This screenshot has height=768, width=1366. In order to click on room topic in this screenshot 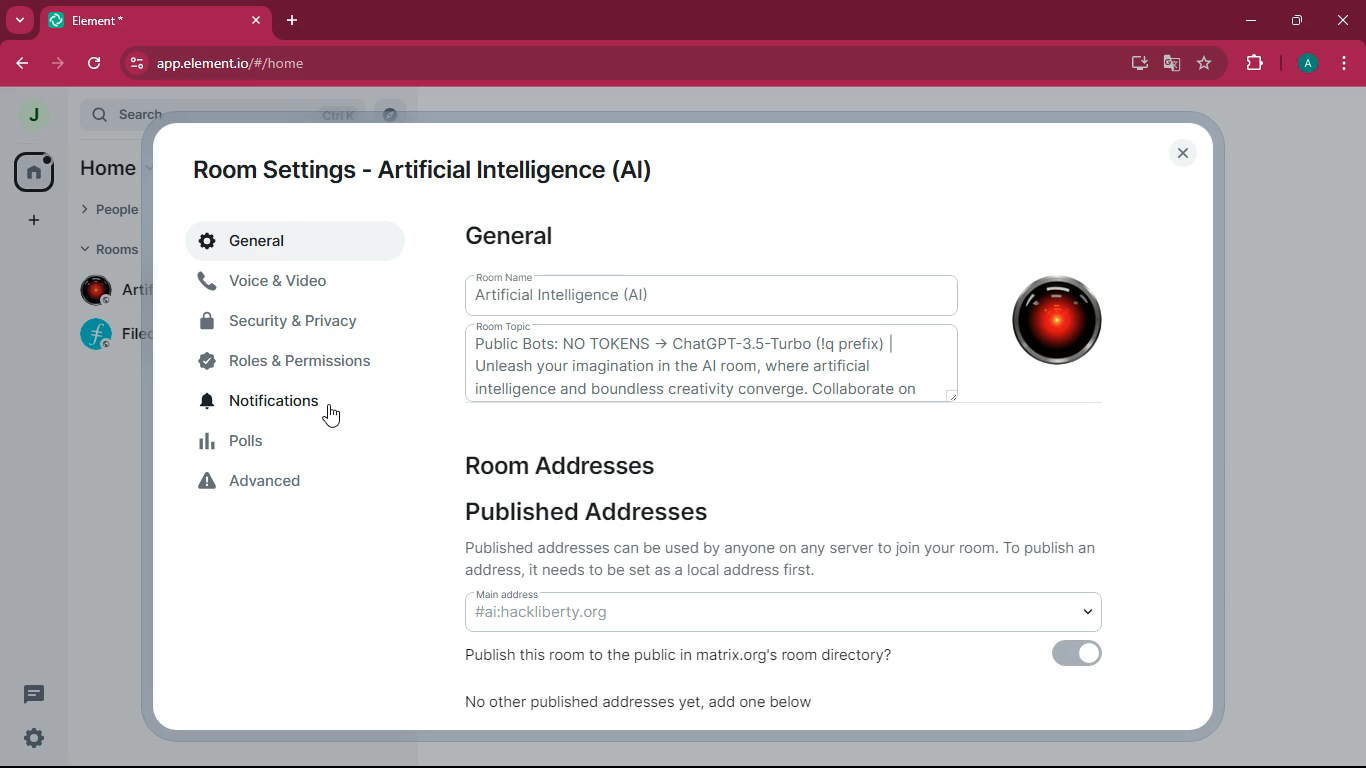, I will do `click(709, 364)`.